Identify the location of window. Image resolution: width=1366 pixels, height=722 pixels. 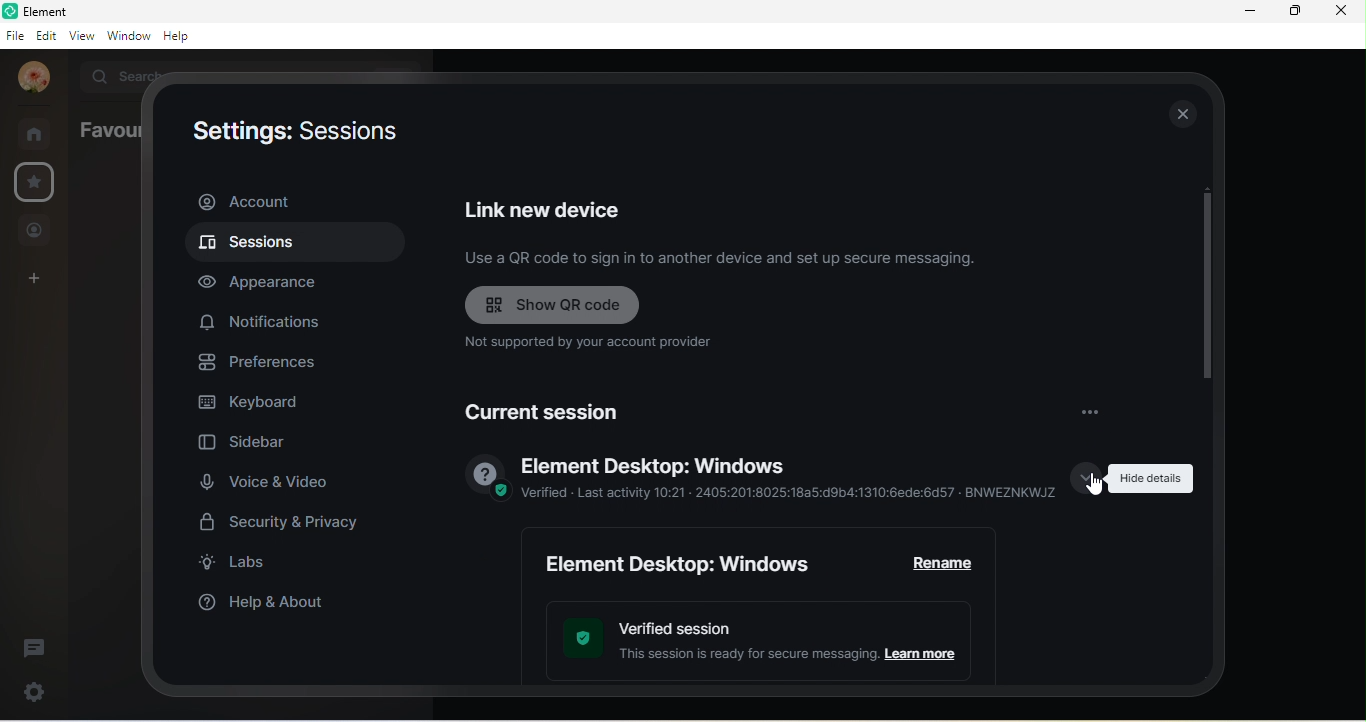
(128, 35).